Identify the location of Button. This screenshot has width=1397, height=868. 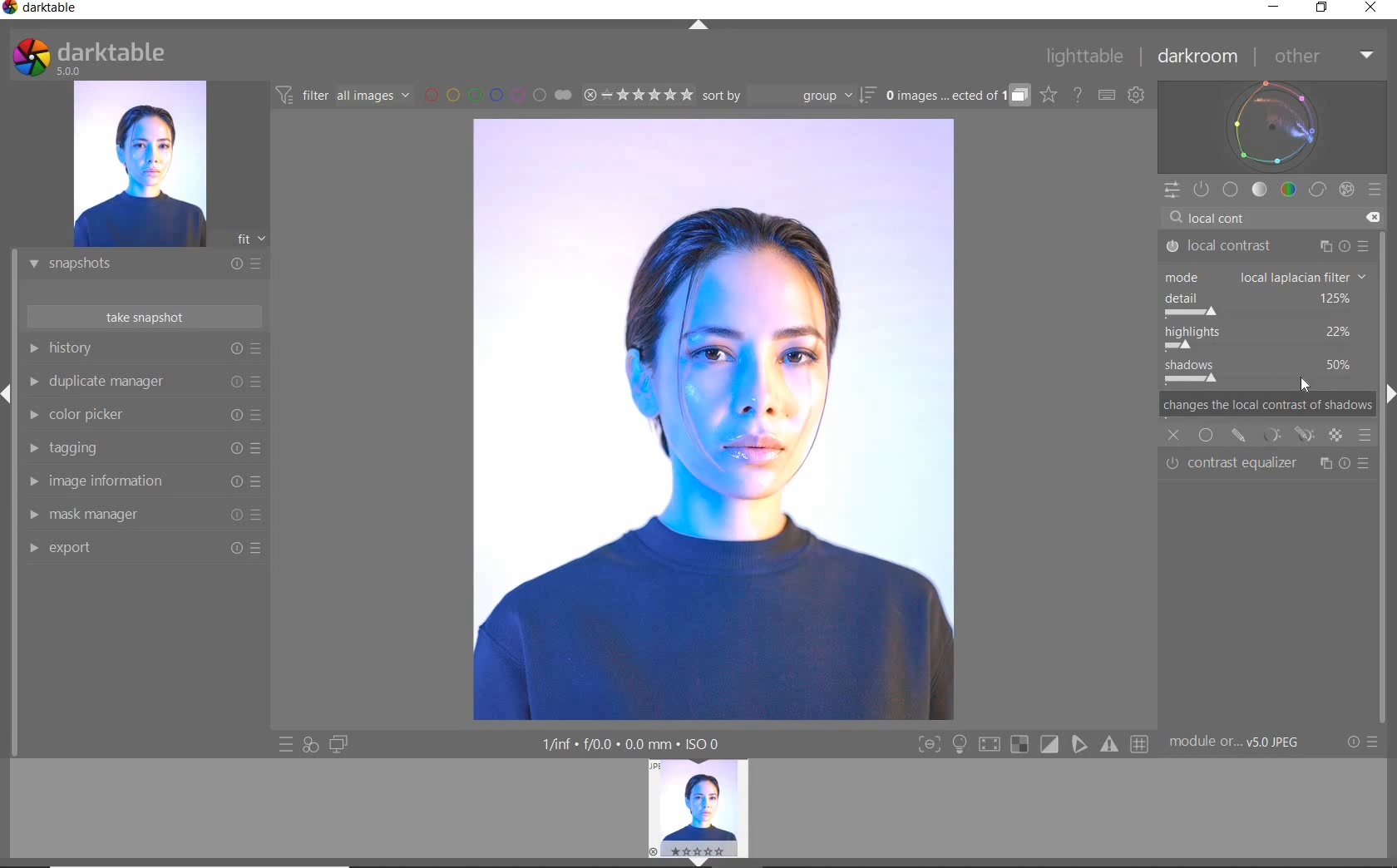
(1050, 745).